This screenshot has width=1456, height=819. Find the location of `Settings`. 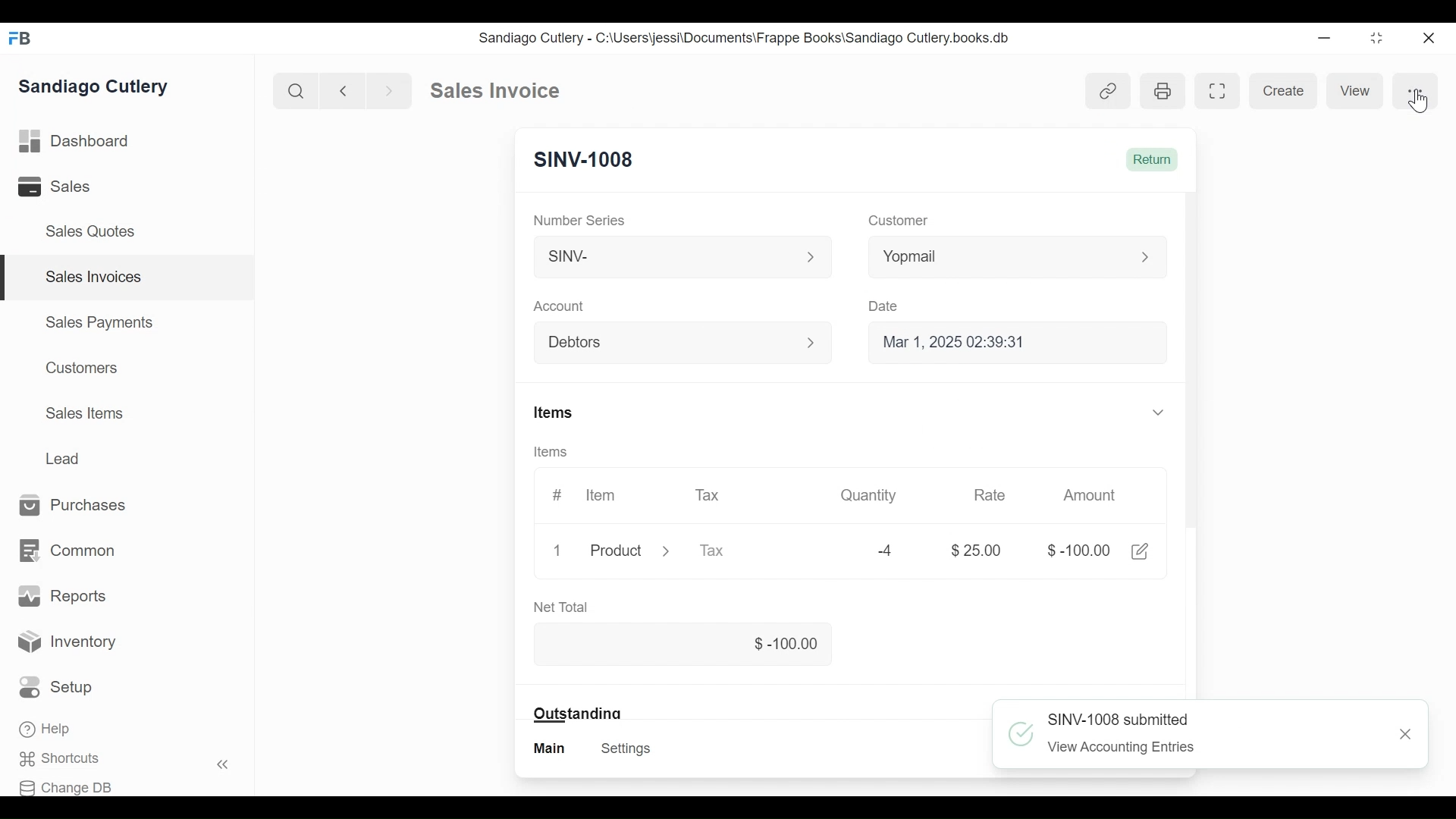

Settings is located at coordinates (628, 748).